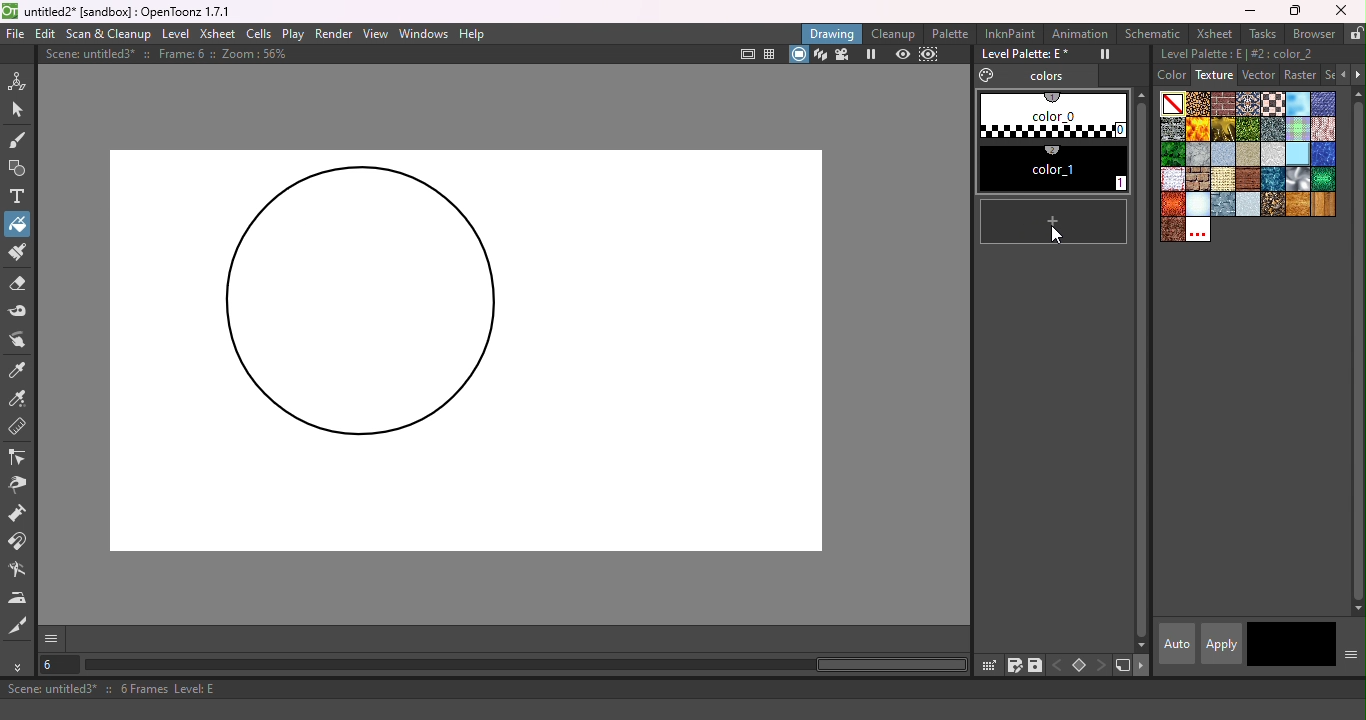 The width and height of the screenshot is (1366, 720). Describe the element at coordinates (258, 34) in the screenshot. I see `Cells` at that location.